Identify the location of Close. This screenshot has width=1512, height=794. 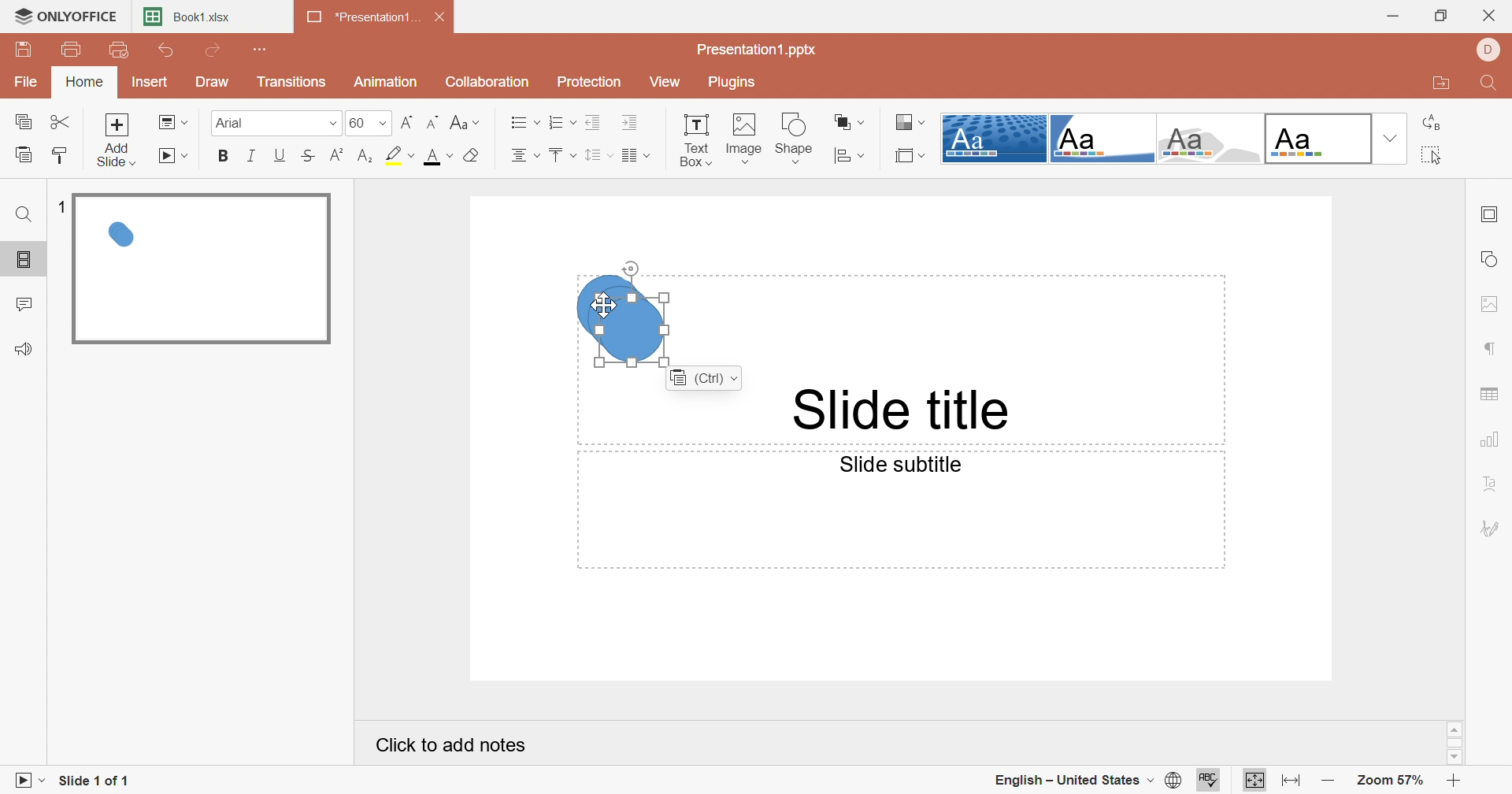
(442, 17).